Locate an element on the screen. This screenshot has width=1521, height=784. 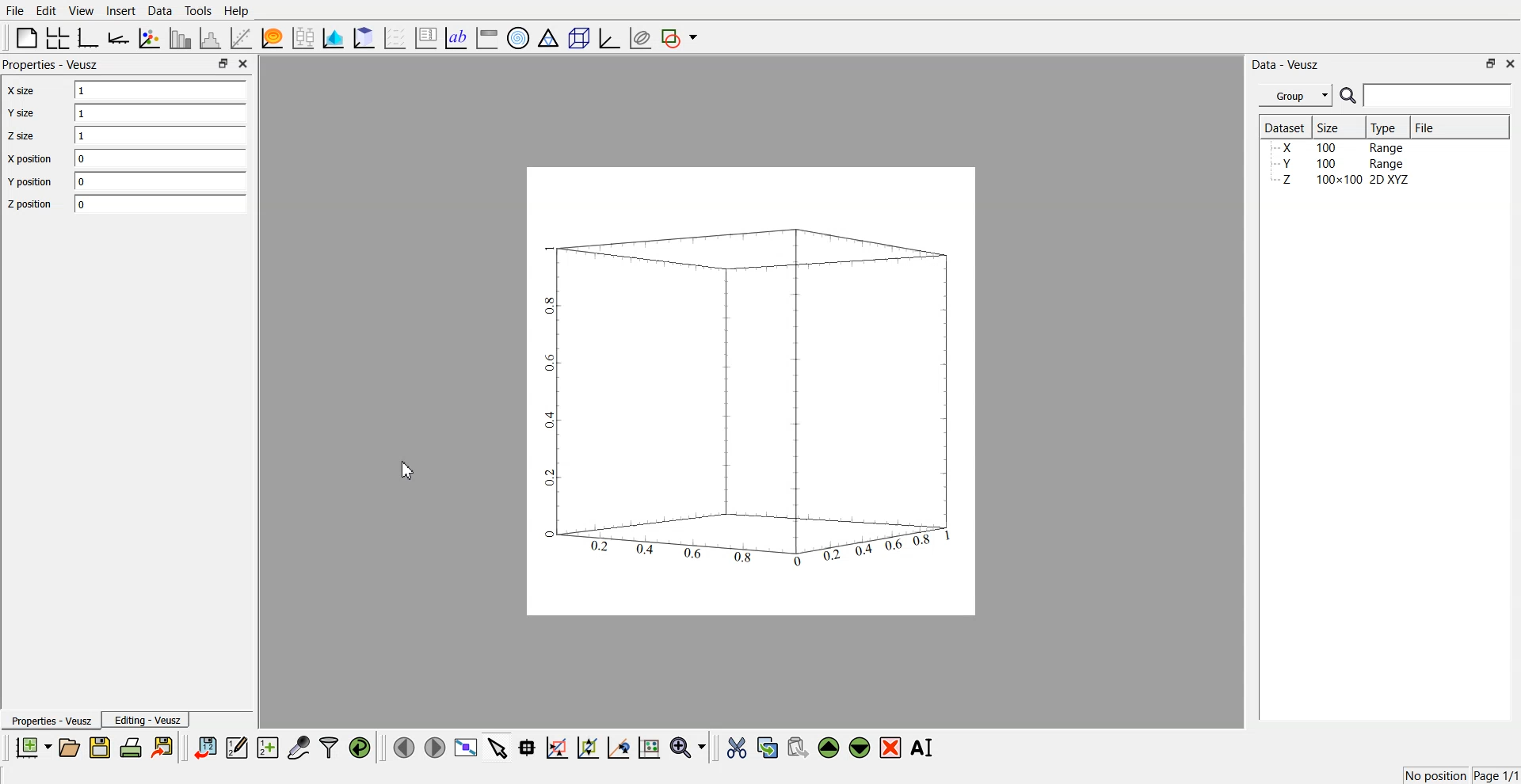
Copy the selected widget is located at coordinates (768, 747).